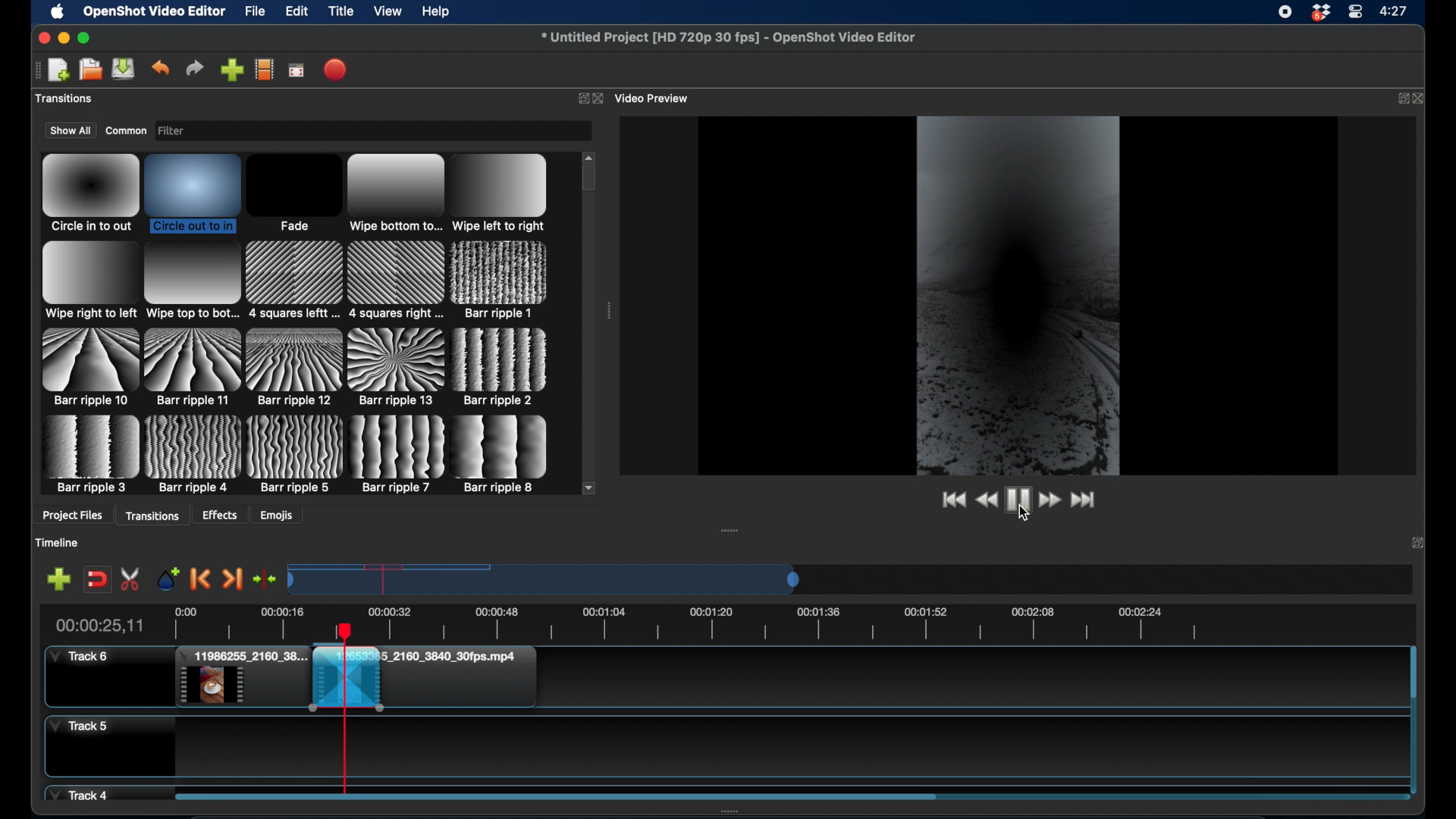  Describe the element at coordinates (1018, 293) in the screenshot. I see `video preview` at that location.